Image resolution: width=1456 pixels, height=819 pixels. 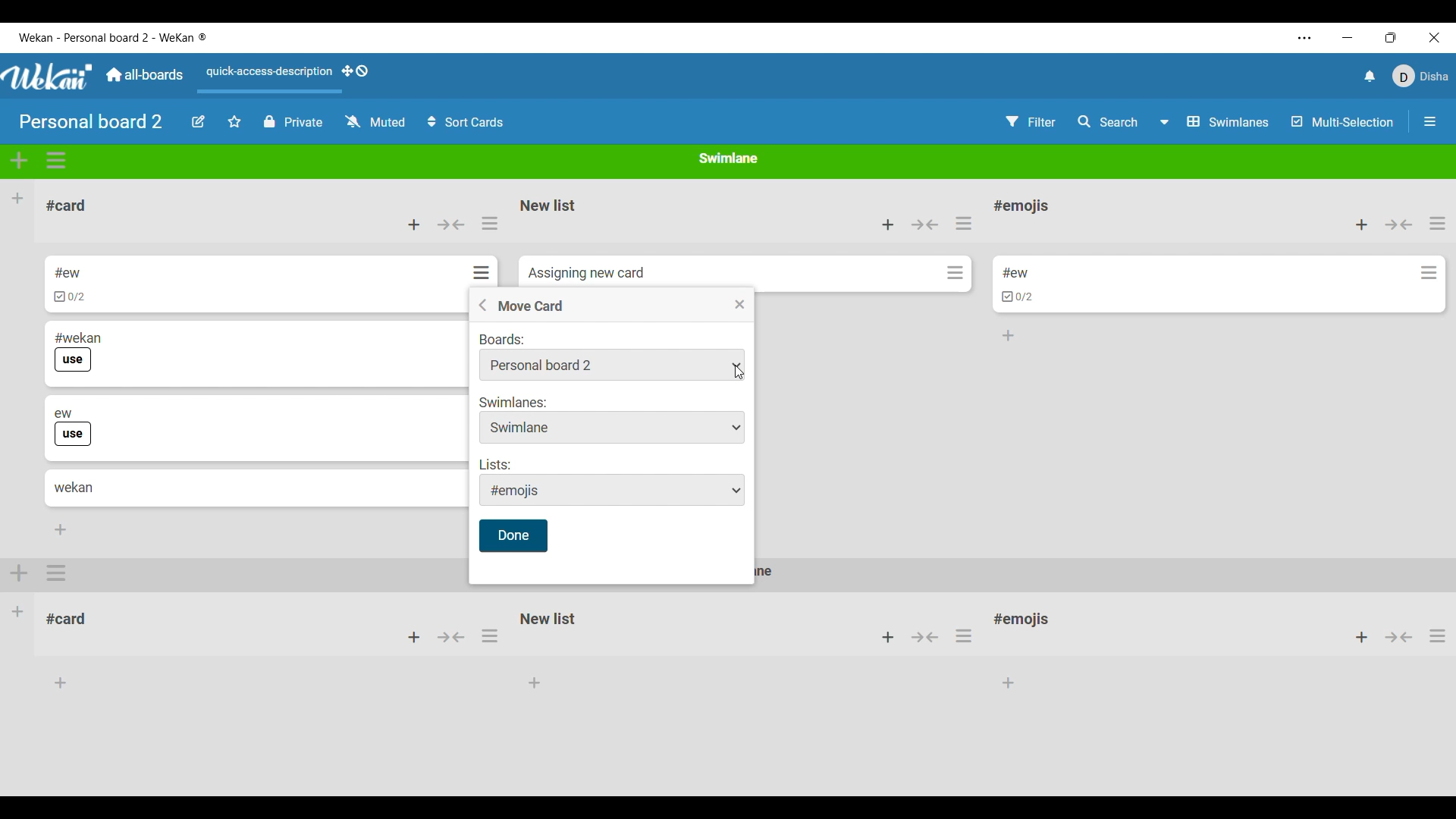 I want to click on Add card to top of list, so click(x=1362, y=225).